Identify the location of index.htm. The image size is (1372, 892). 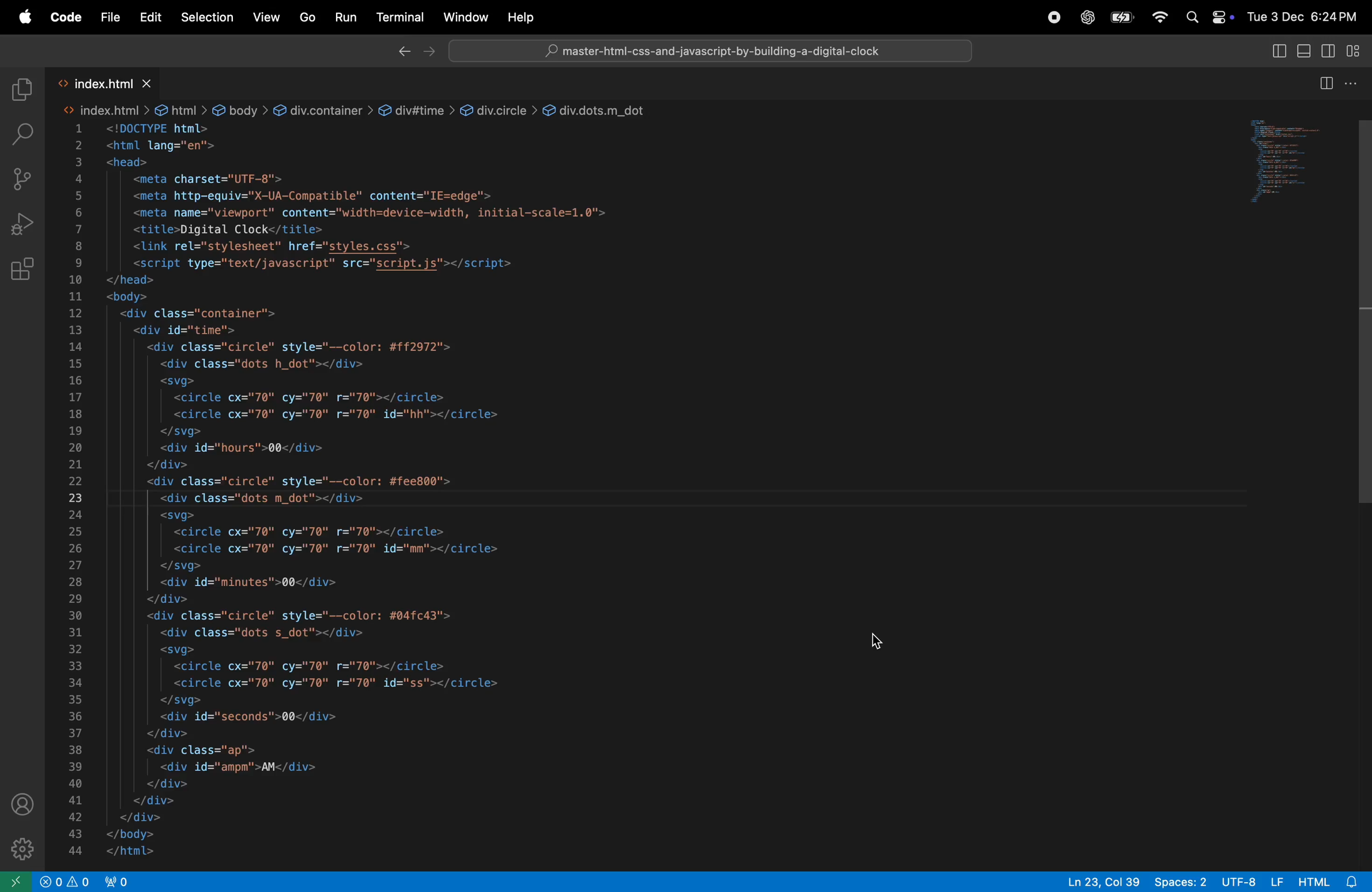
(103, 111).